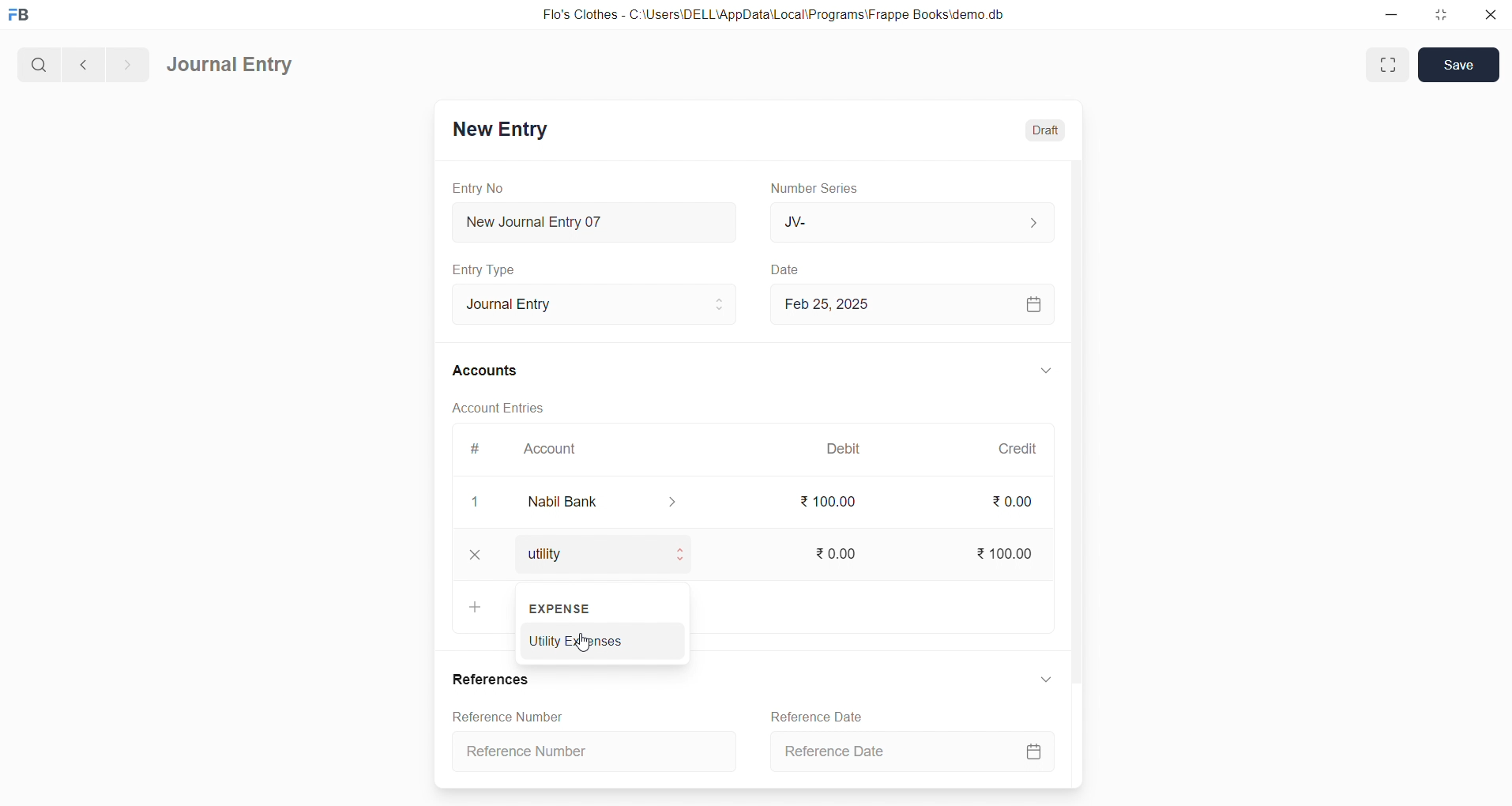 This screenshot has height=806, width=1512. What do you see at coordinates (1459, 64) in the screenshot?
I see `Save` at bounding box center [1459, 64].